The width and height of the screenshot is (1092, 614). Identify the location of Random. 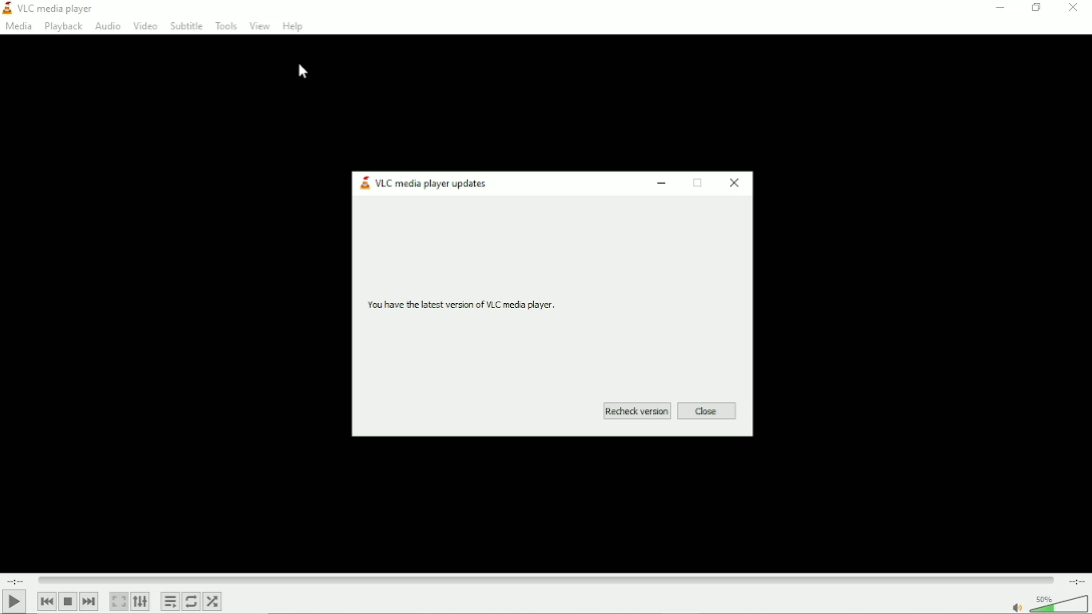
(211, 602).